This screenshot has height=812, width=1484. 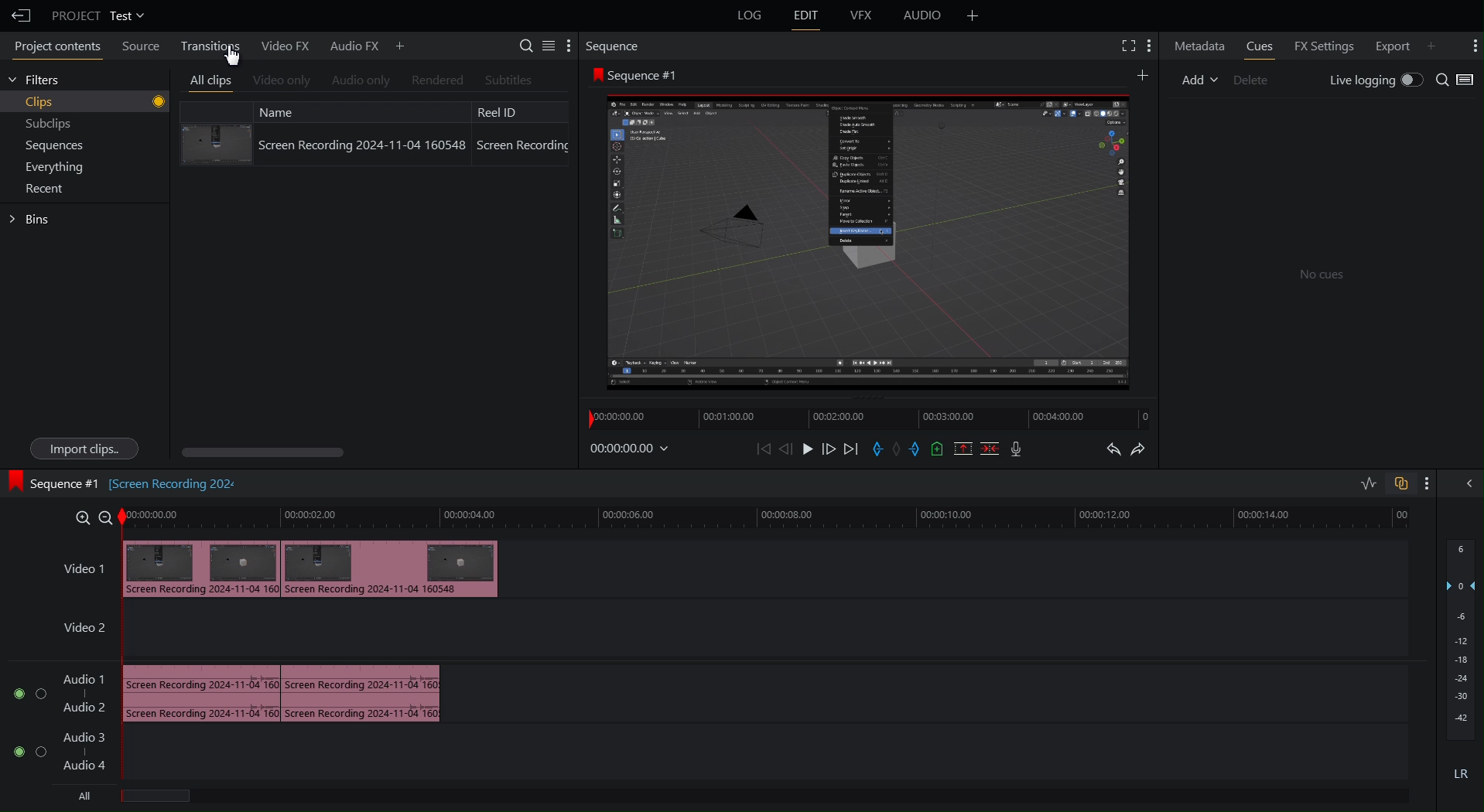 What do you see at coordinates (104, 517) in the screenshot?
I see `zoom out` at bounding box center [104, 517].